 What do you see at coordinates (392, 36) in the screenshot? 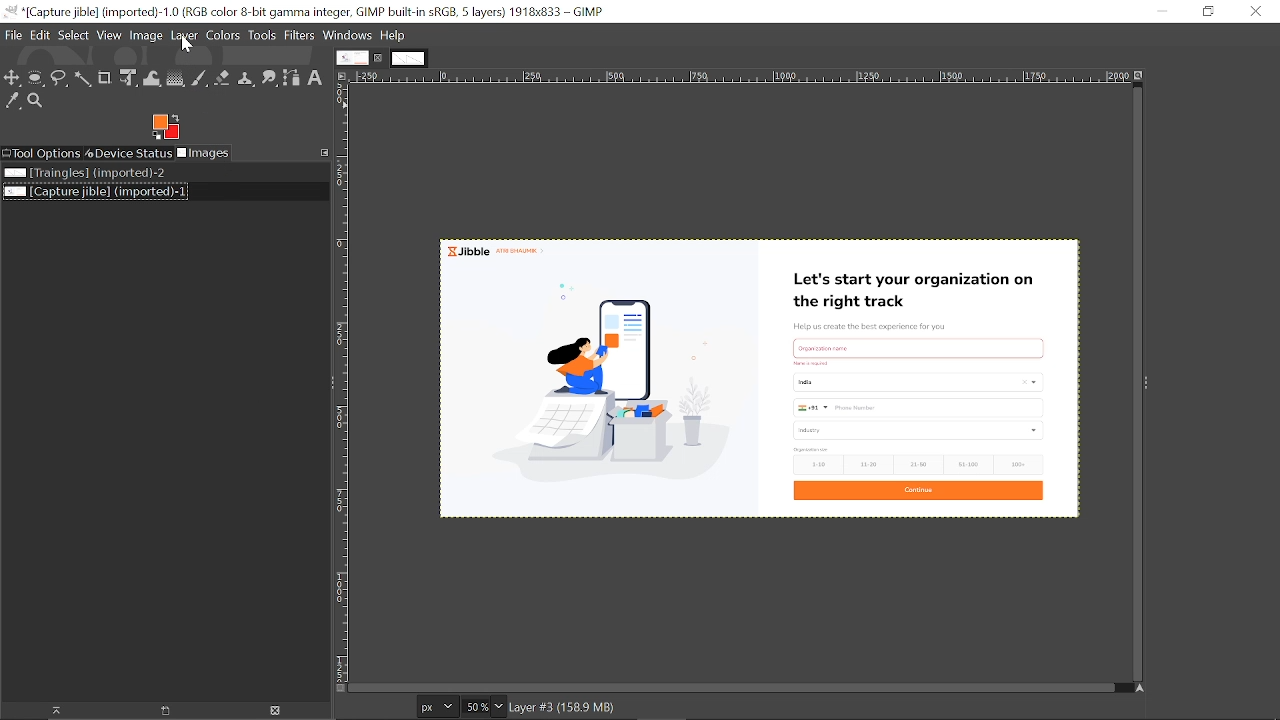
I see `Help` at bounding box center [392, 36].